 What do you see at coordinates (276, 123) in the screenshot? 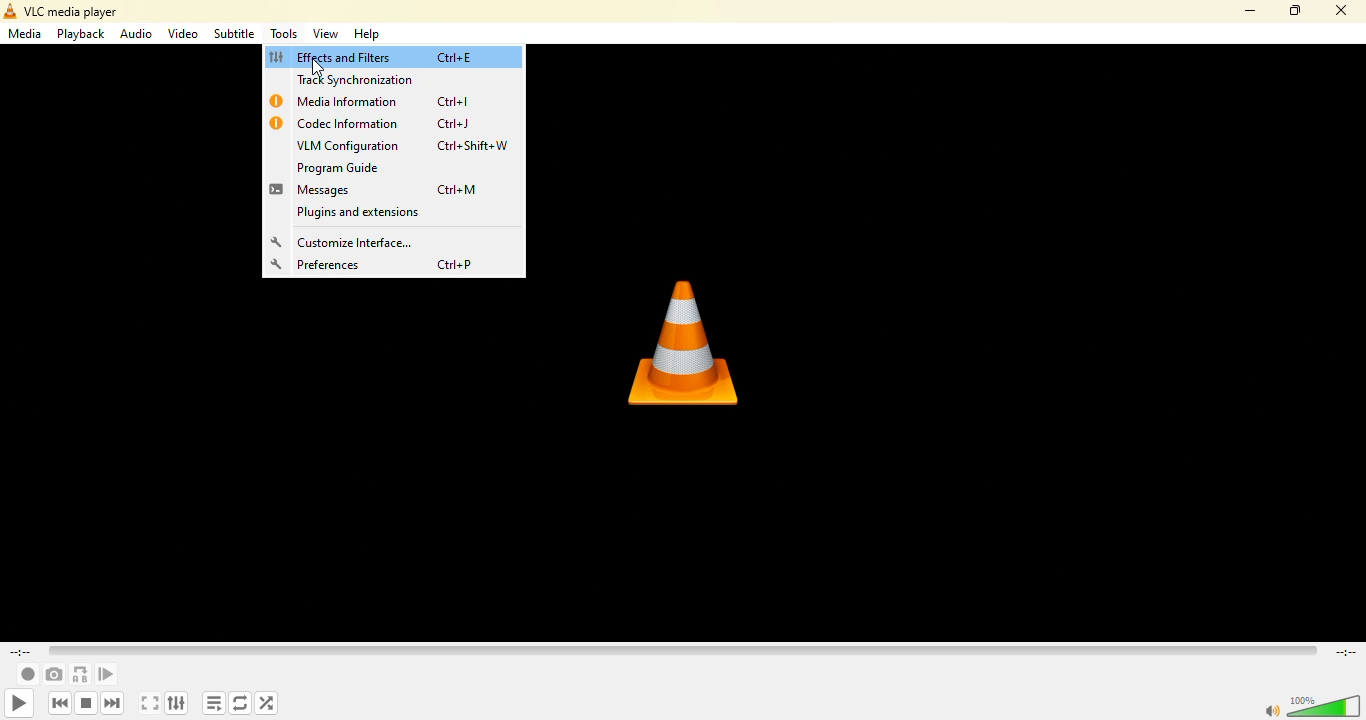
I see `info` at bounding box center [276, 123].